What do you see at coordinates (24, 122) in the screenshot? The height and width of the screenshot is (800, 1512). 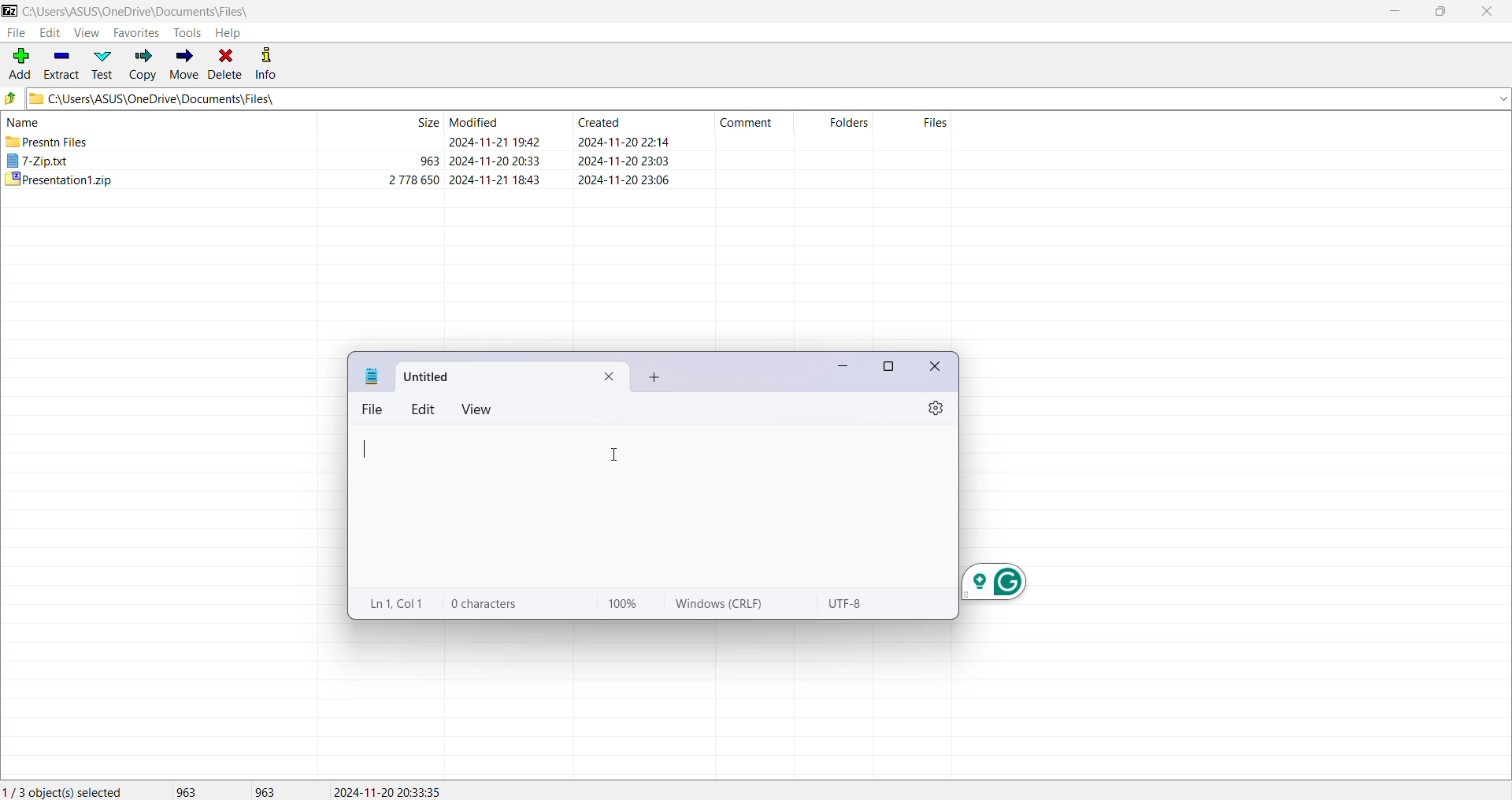 I see `name` at bounding box center [24, 122].